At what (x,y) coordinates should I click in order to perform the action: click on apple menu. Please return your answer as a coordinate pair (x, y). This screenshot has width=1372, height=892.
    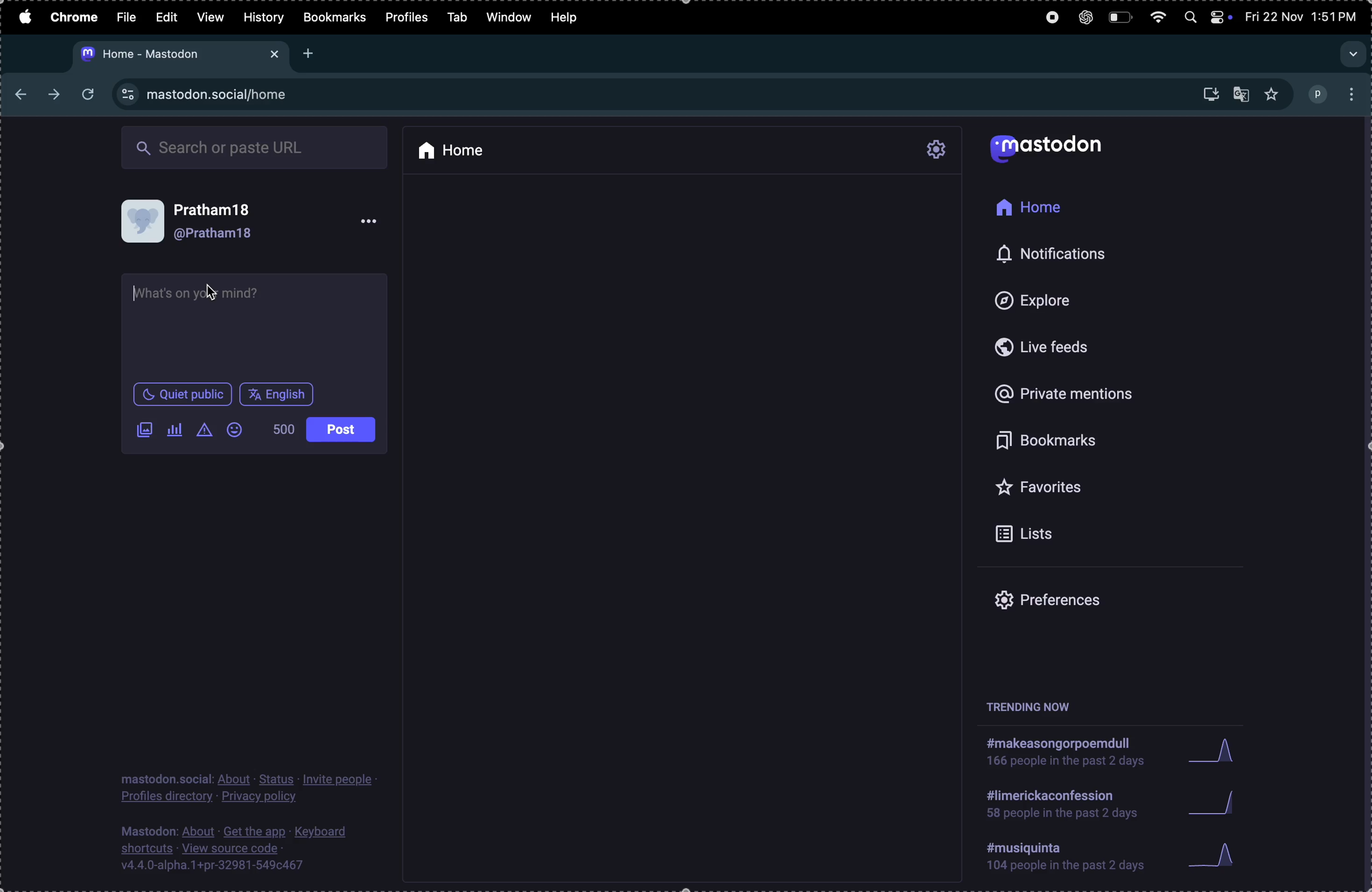
    Looking at the image, I should click on (24, 17).